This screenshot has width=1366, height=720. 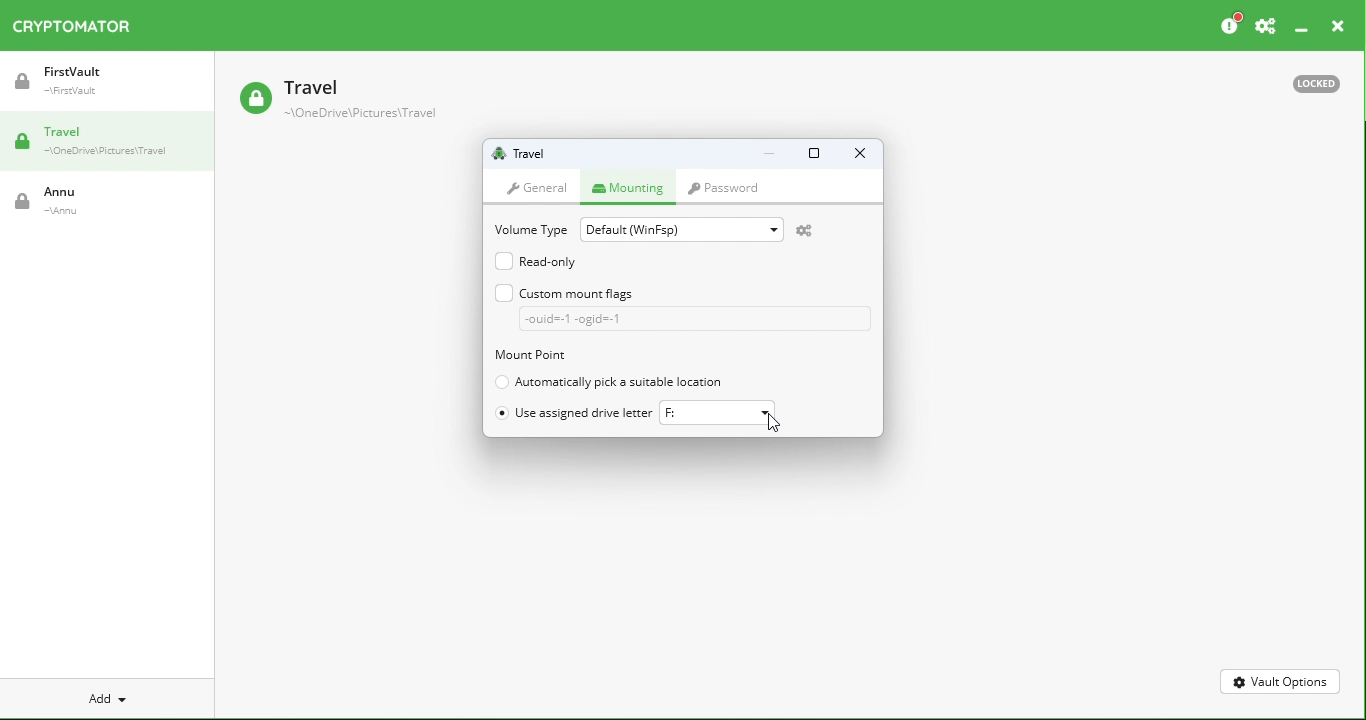 What do you see at coordinates (632, 186) in the screenshot?
I see `Mounting` at bounding box center [632, 186].